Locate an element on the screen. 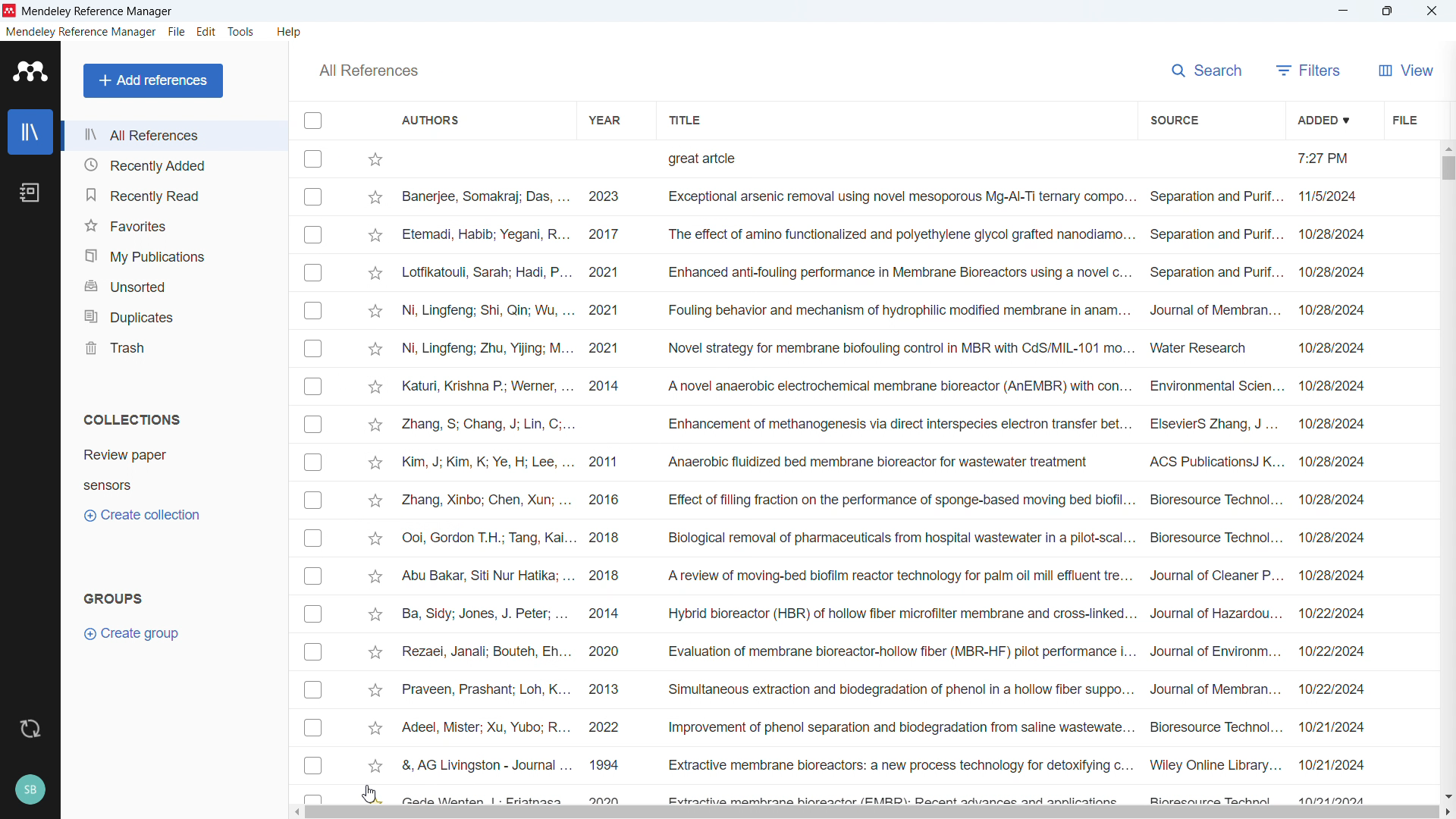   Maximise is located at coordinates (1388, 11).